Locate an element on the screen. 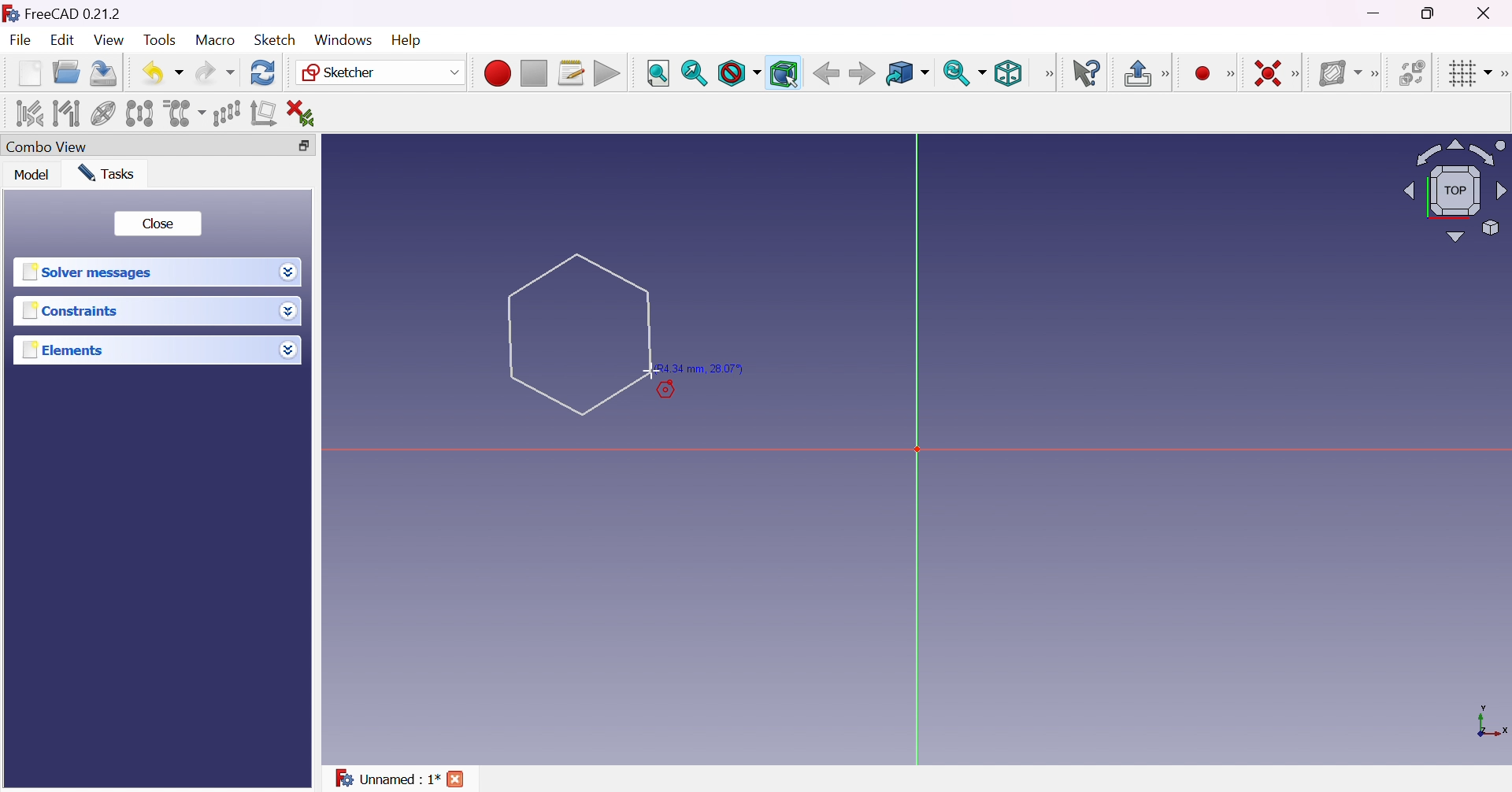 Image resolution: width=1512 pixels, height=792 pixels. Polygon is located at coordinates (579, 334).